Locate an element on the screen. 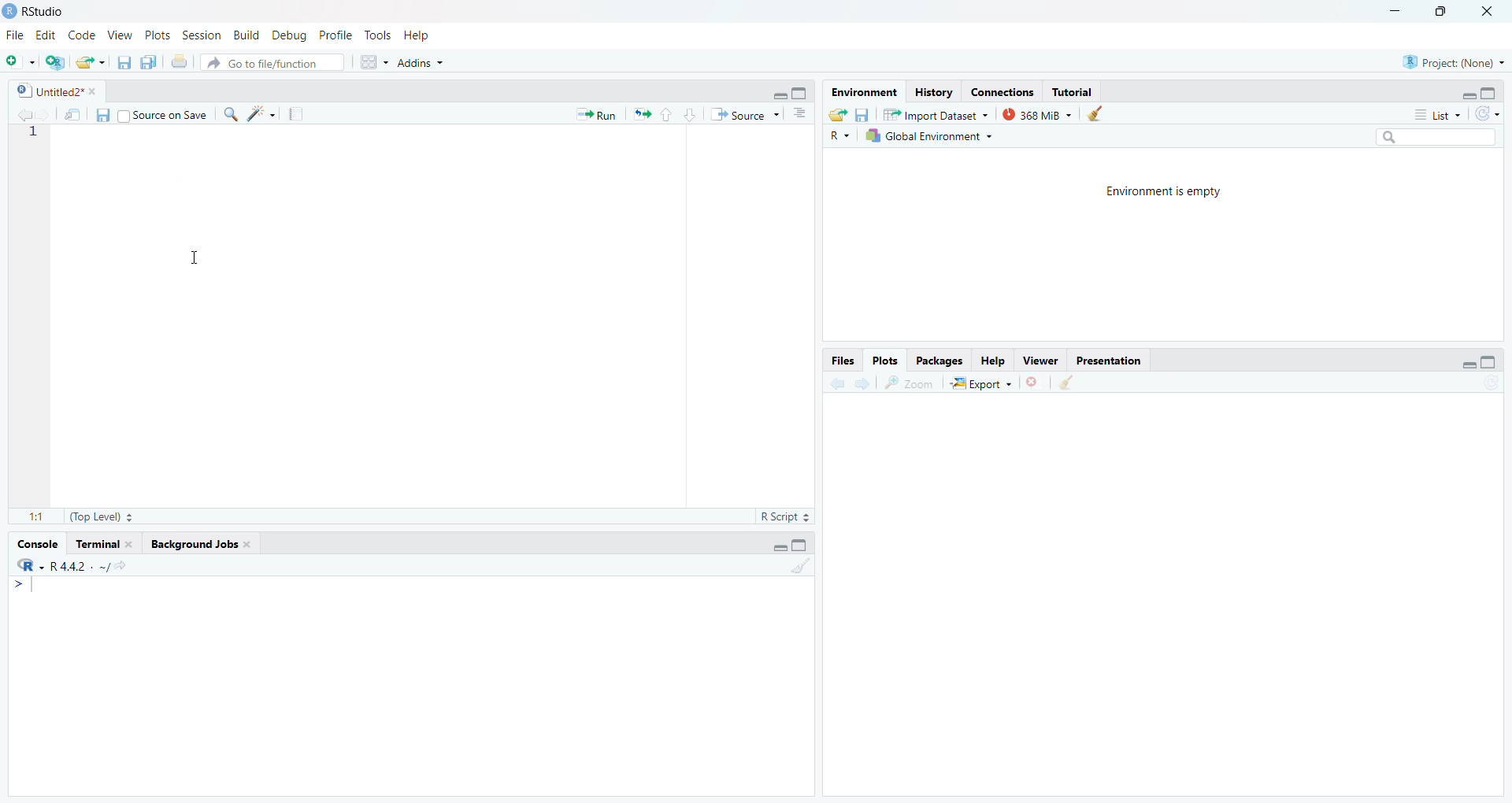 Image resolution: width=1512 pixels, height=803 pixels. minimise is located at coordinates (1469, 364).